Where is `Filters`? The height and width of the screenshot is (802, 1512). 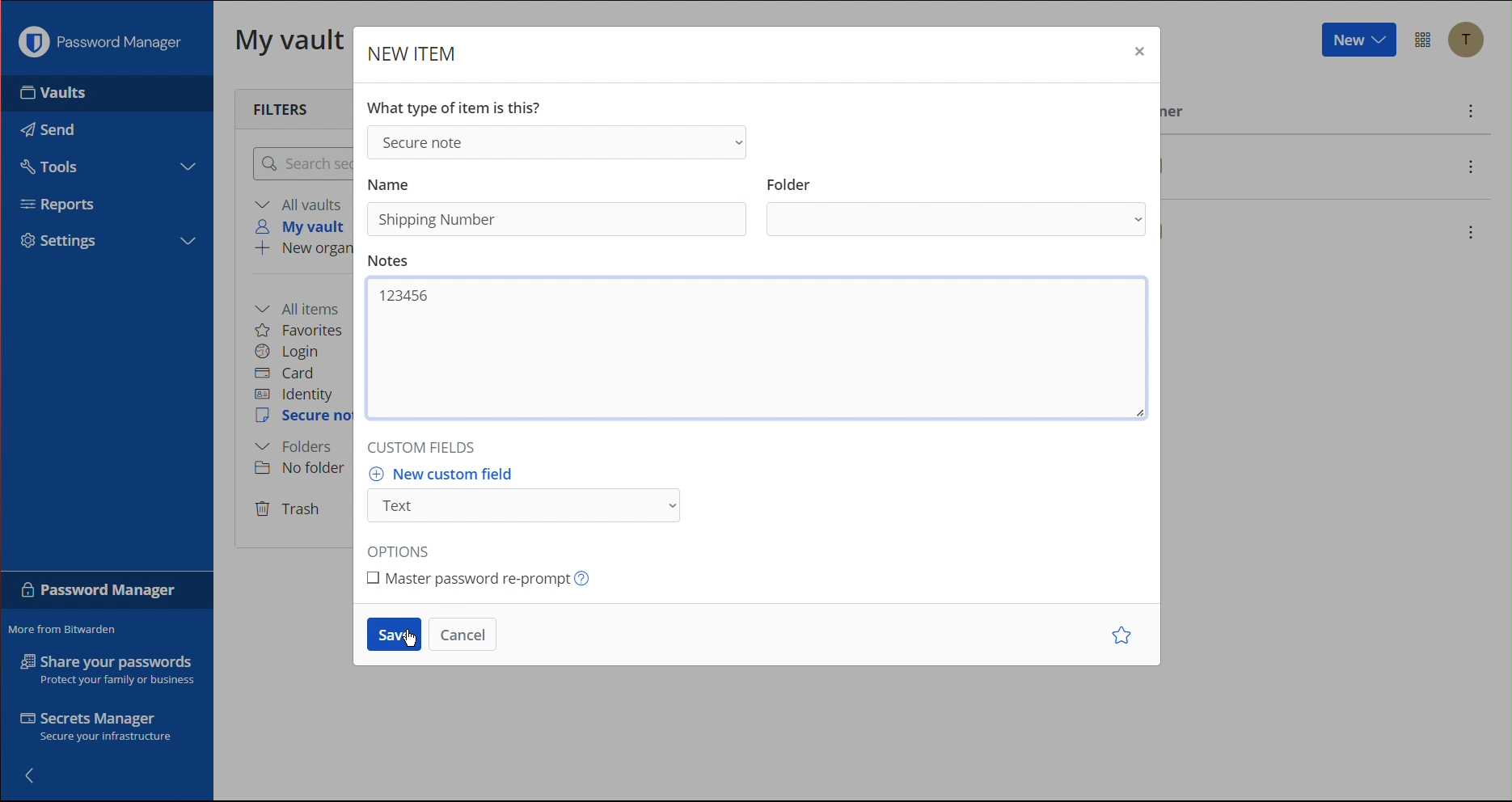
Filters is located at coordinates (278, 108).